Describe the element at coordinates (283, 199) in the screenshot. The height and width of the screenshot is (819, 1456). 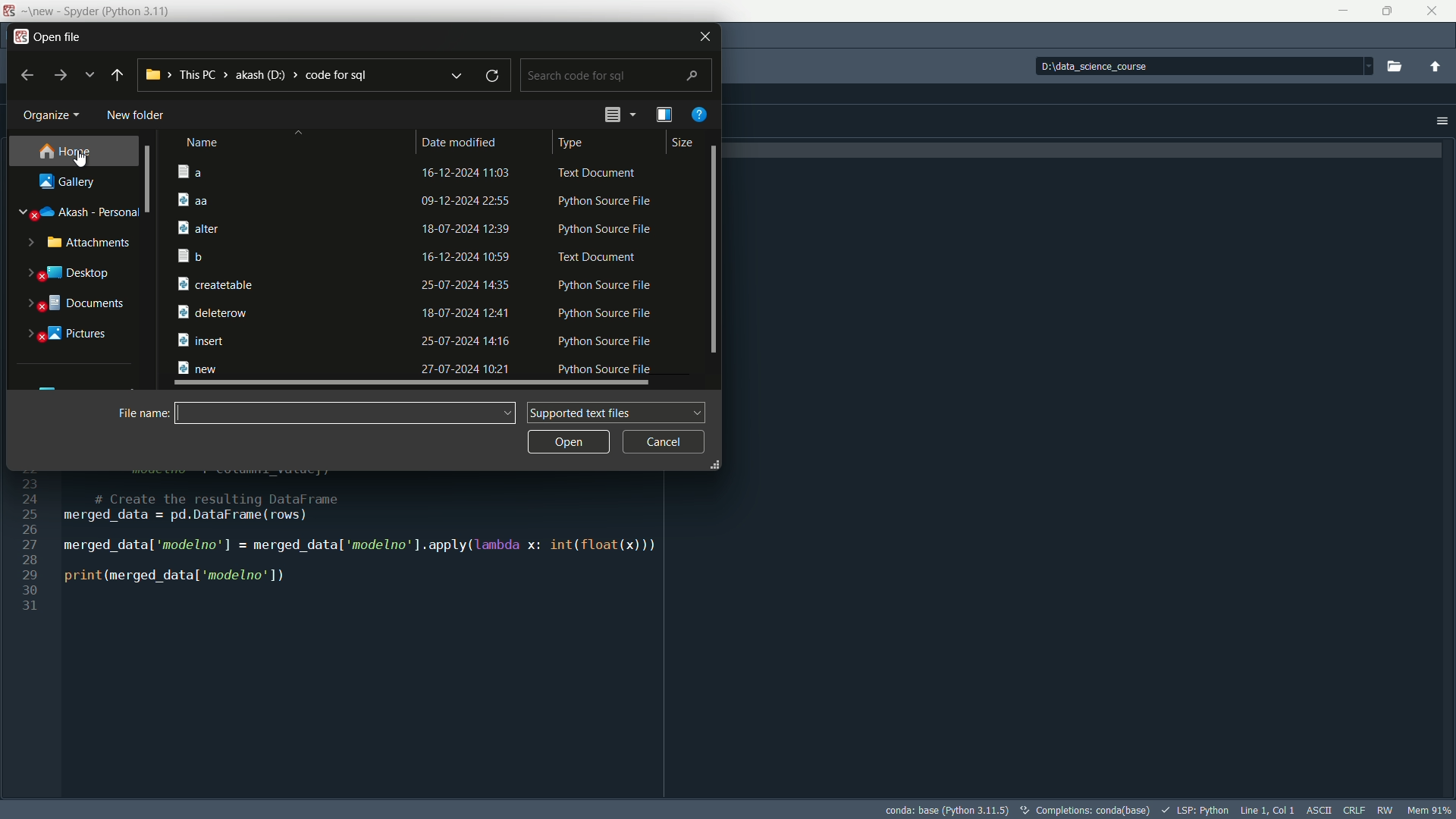
I see `file name` at that location.